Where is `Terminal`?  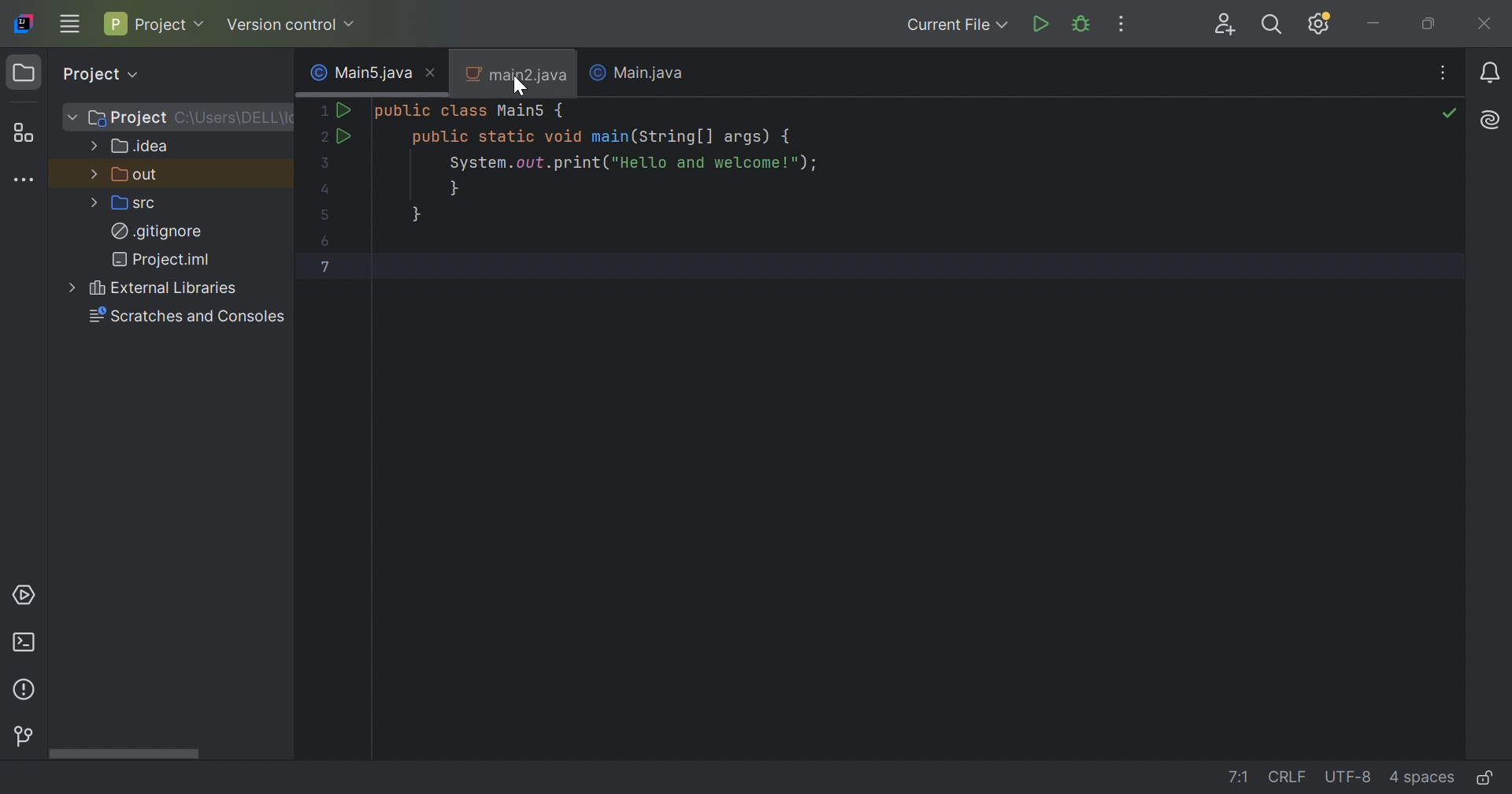 Terminal is located at coordinates (22, 644).